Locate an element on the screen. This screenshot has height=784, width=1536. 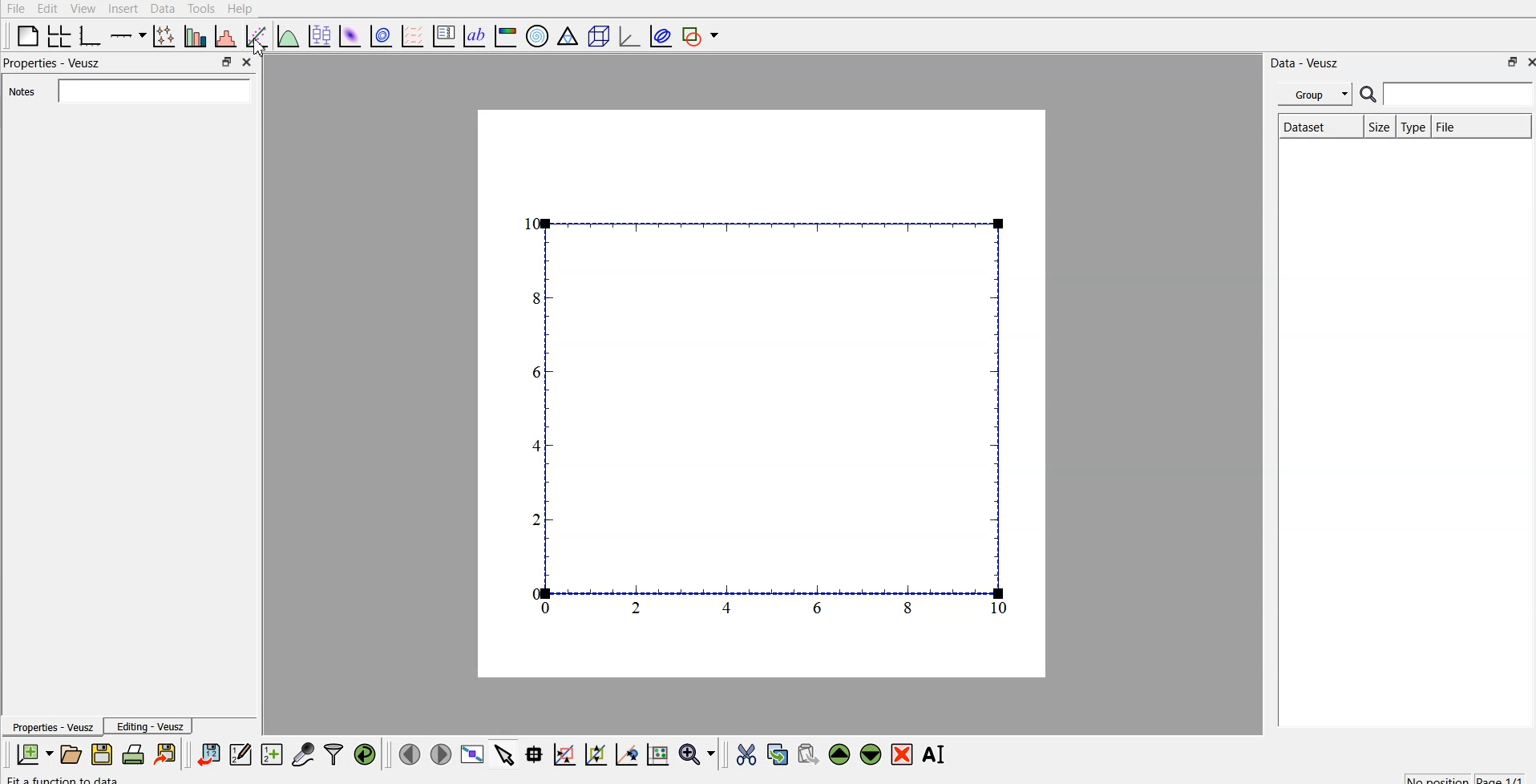
plot 2d data set as contours is located at coordinates (380, 37).